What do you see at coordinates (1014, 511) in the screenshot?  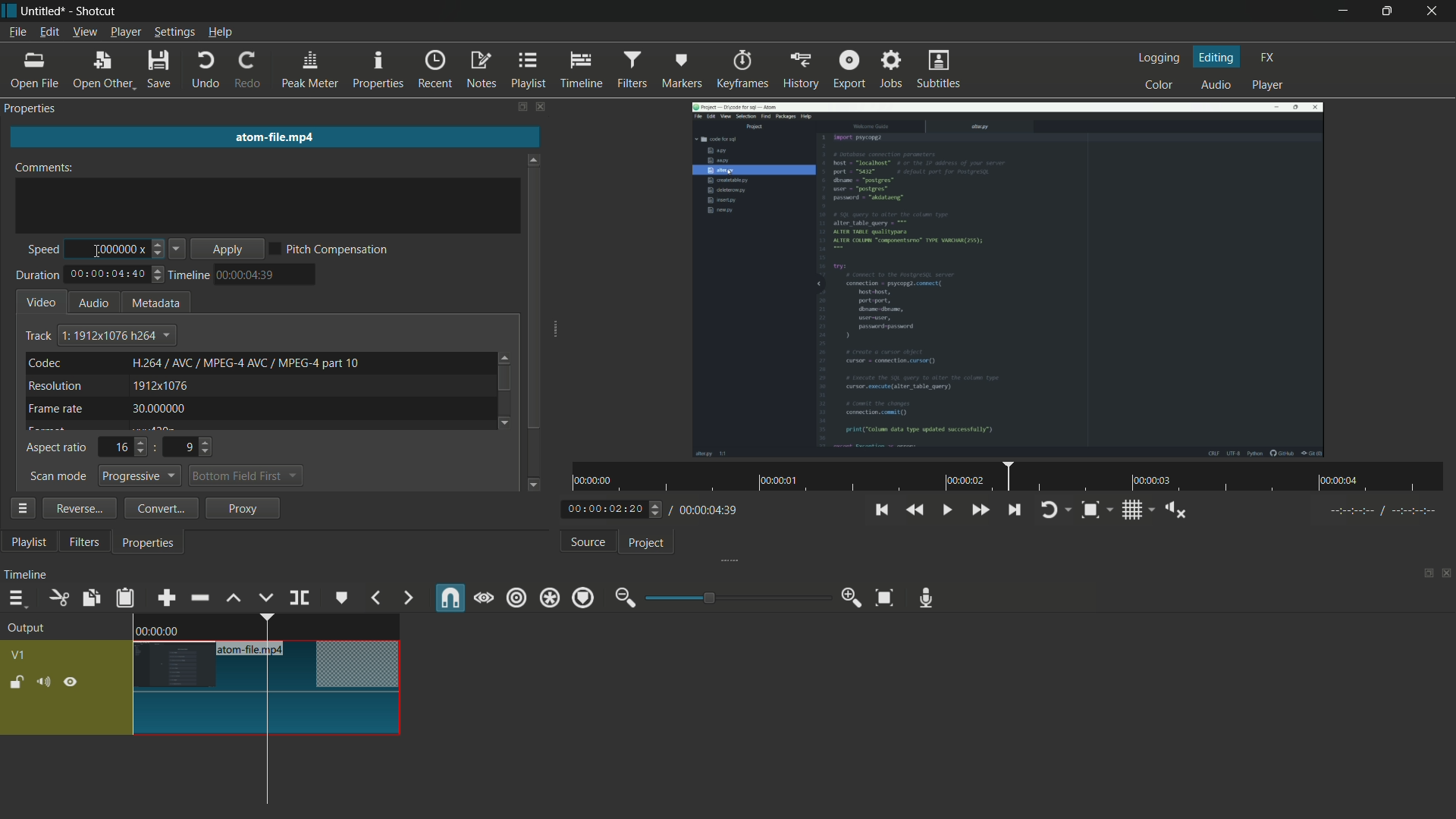 I see `skip to the next point` at bounding box center [1014, 511].